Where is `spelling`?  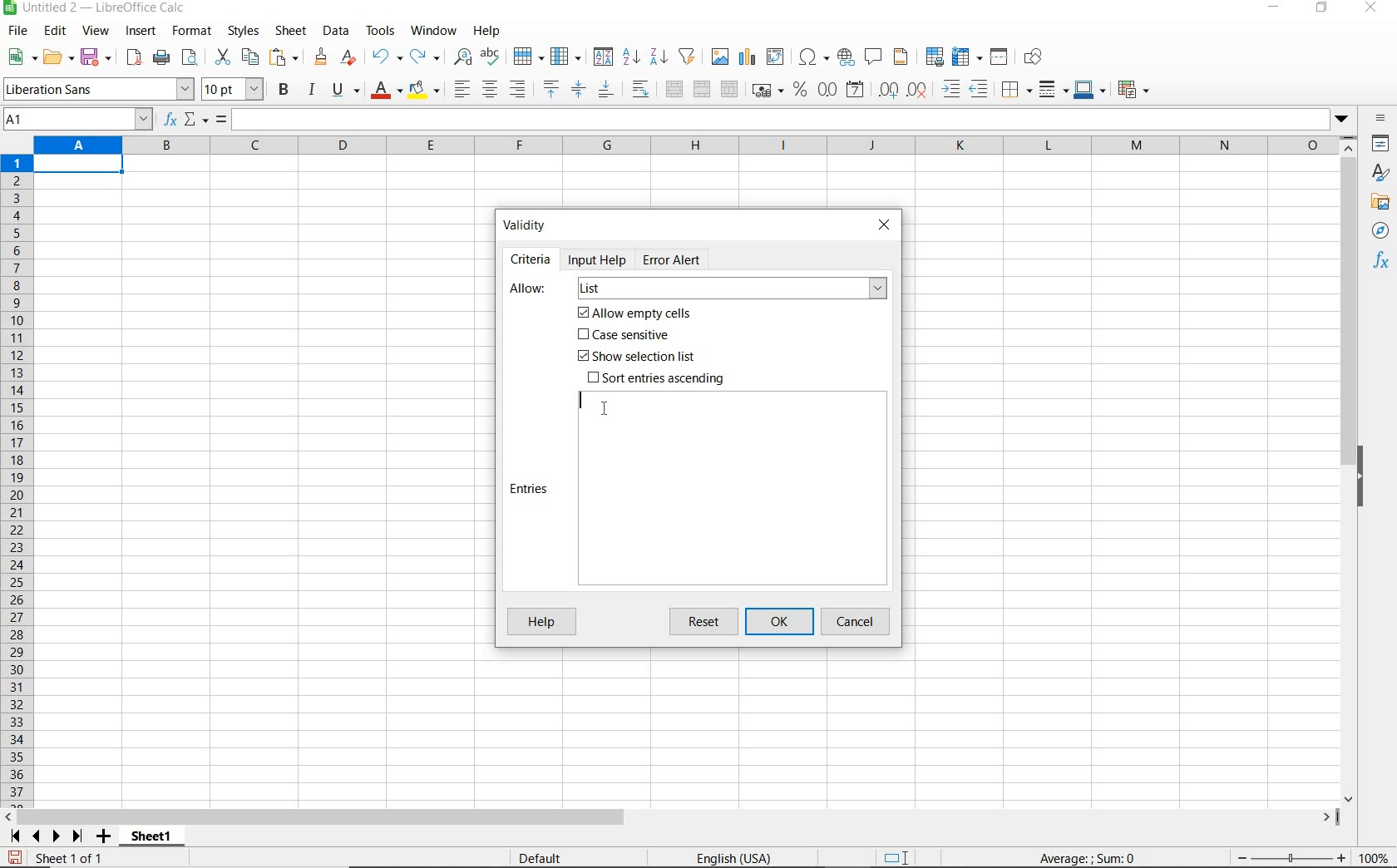
spelling is located at coordinates (492, 57).